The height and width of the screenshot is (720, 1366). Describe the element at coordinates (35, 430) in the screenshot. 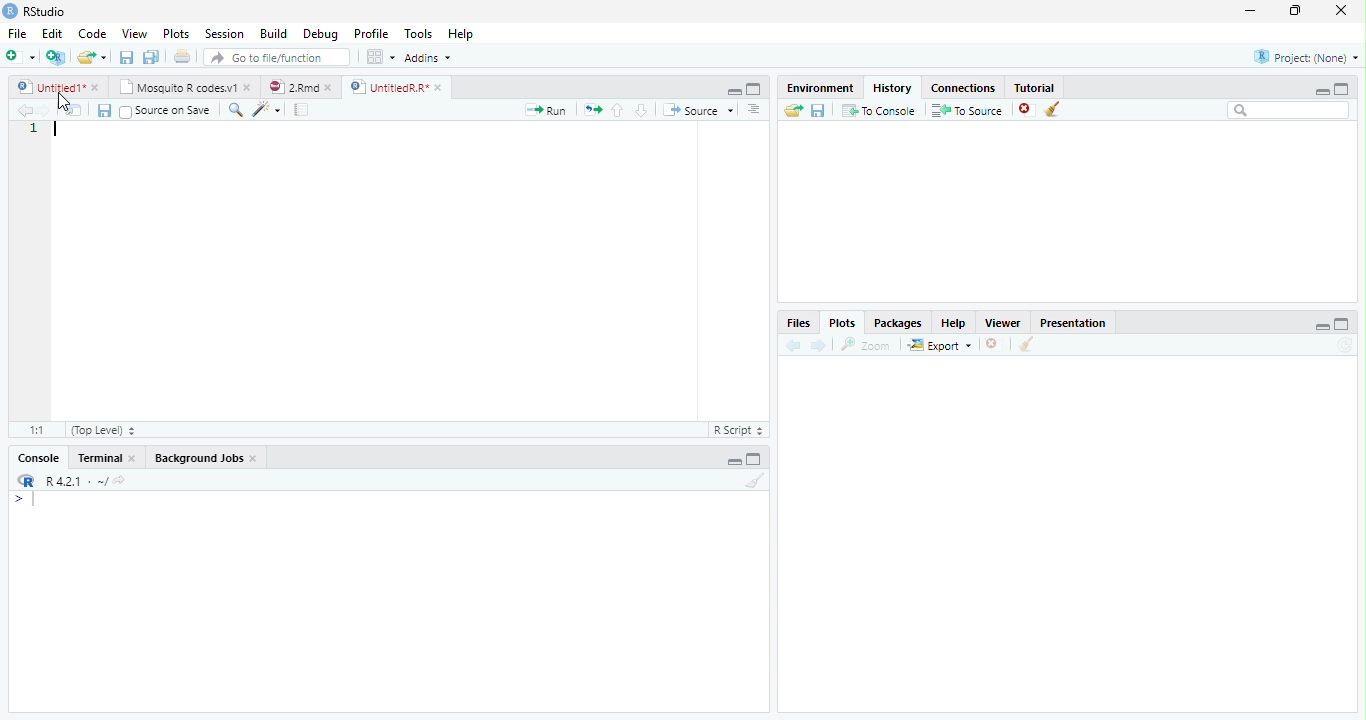

I see `1:1` at that location.